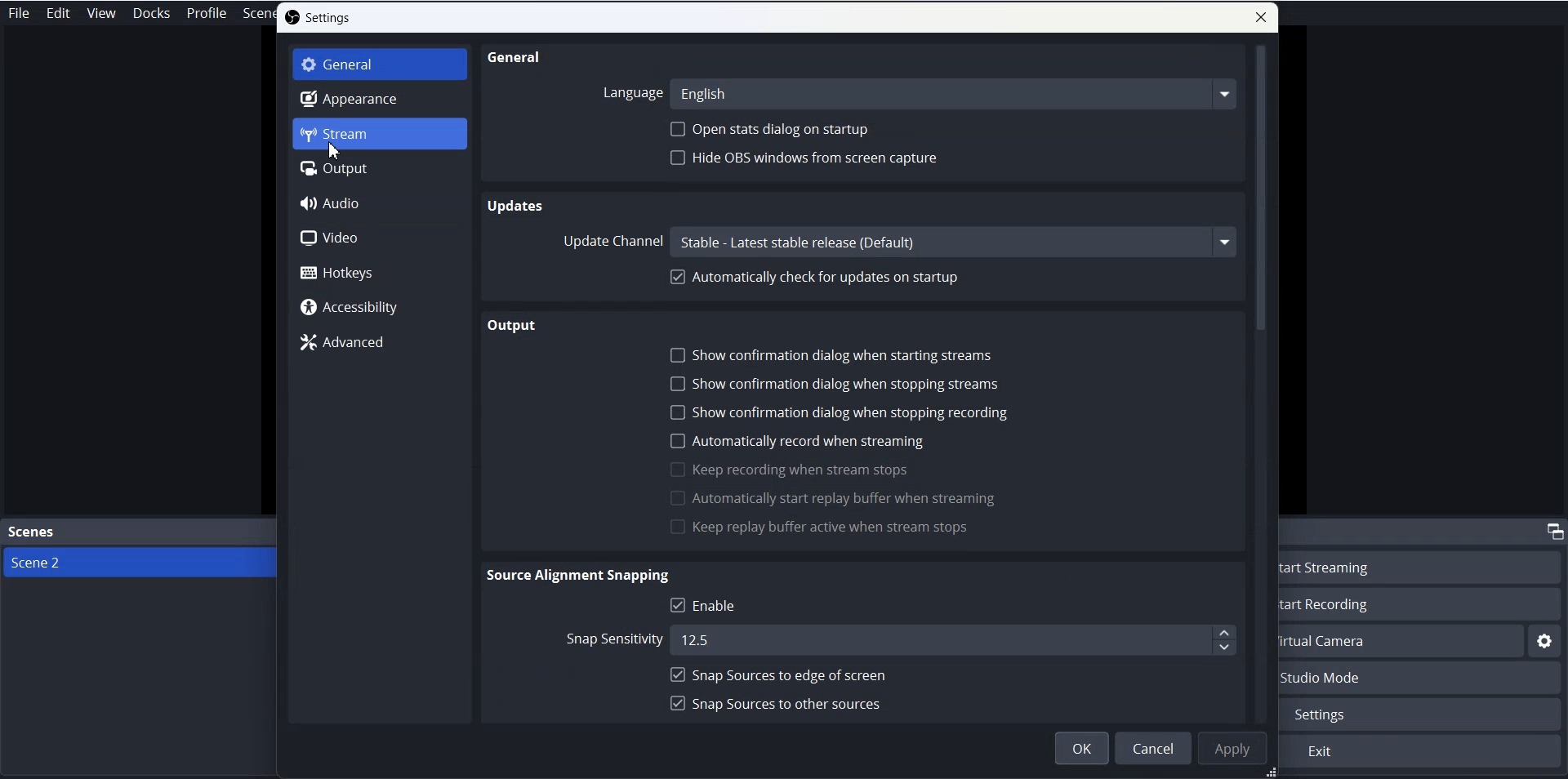 The height and width of the screenshot is (779, 1568). I want to click on Snap sources to edge of screen, so click(779, 674).